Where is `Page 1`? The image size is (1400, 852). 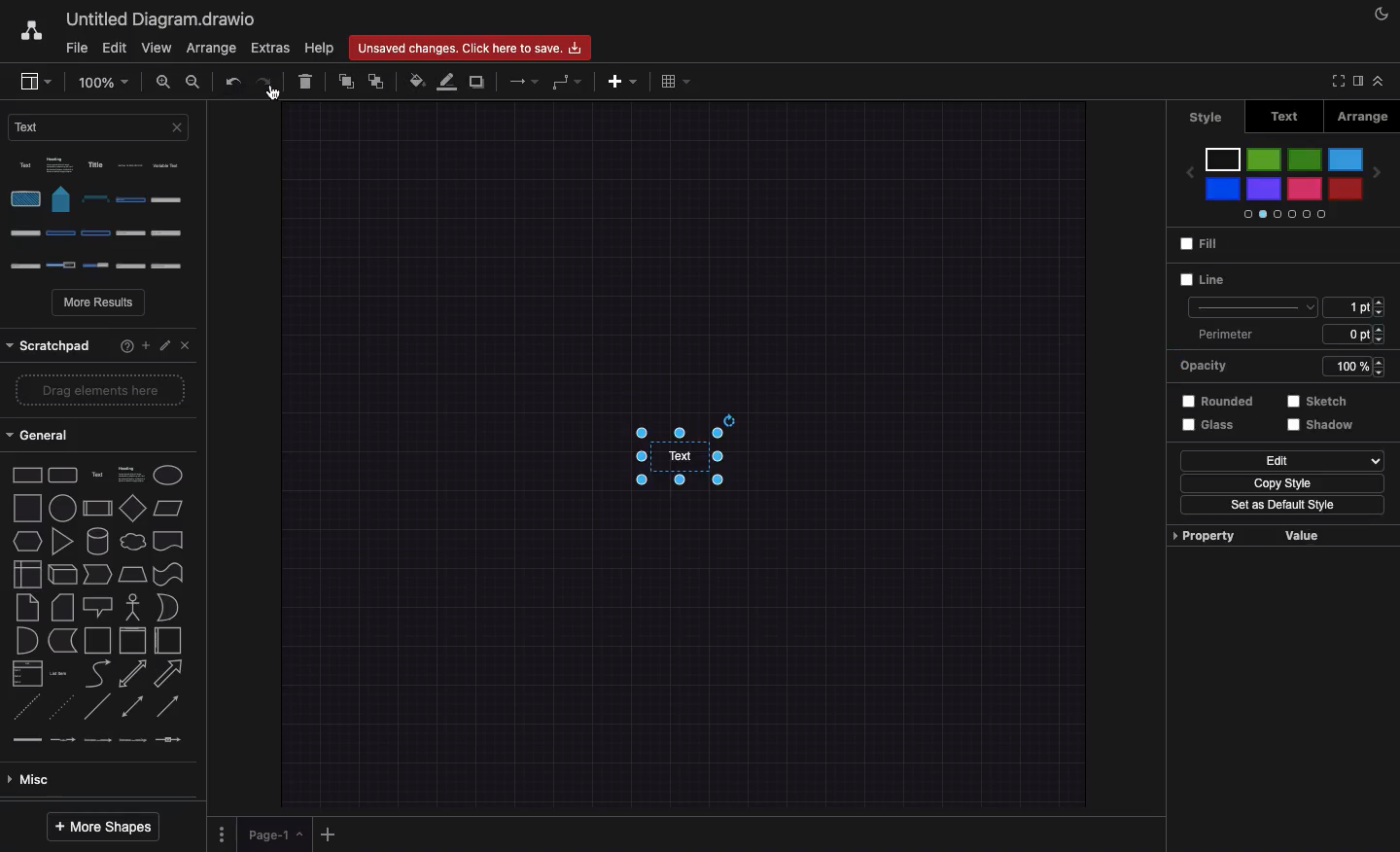 Page 1 is located at coordinates (277, 835).